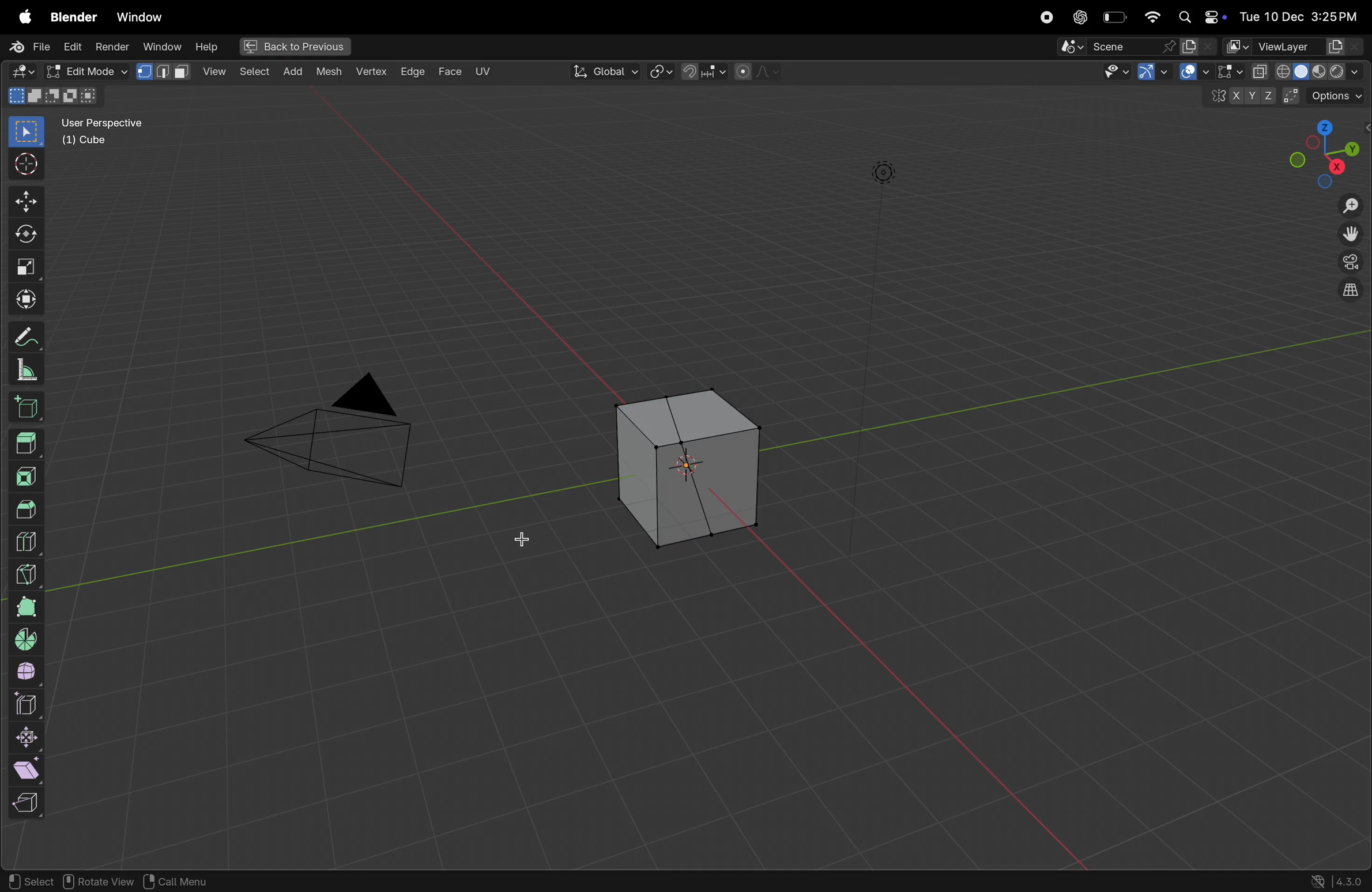  I want to click on Window, so click(161, 46).